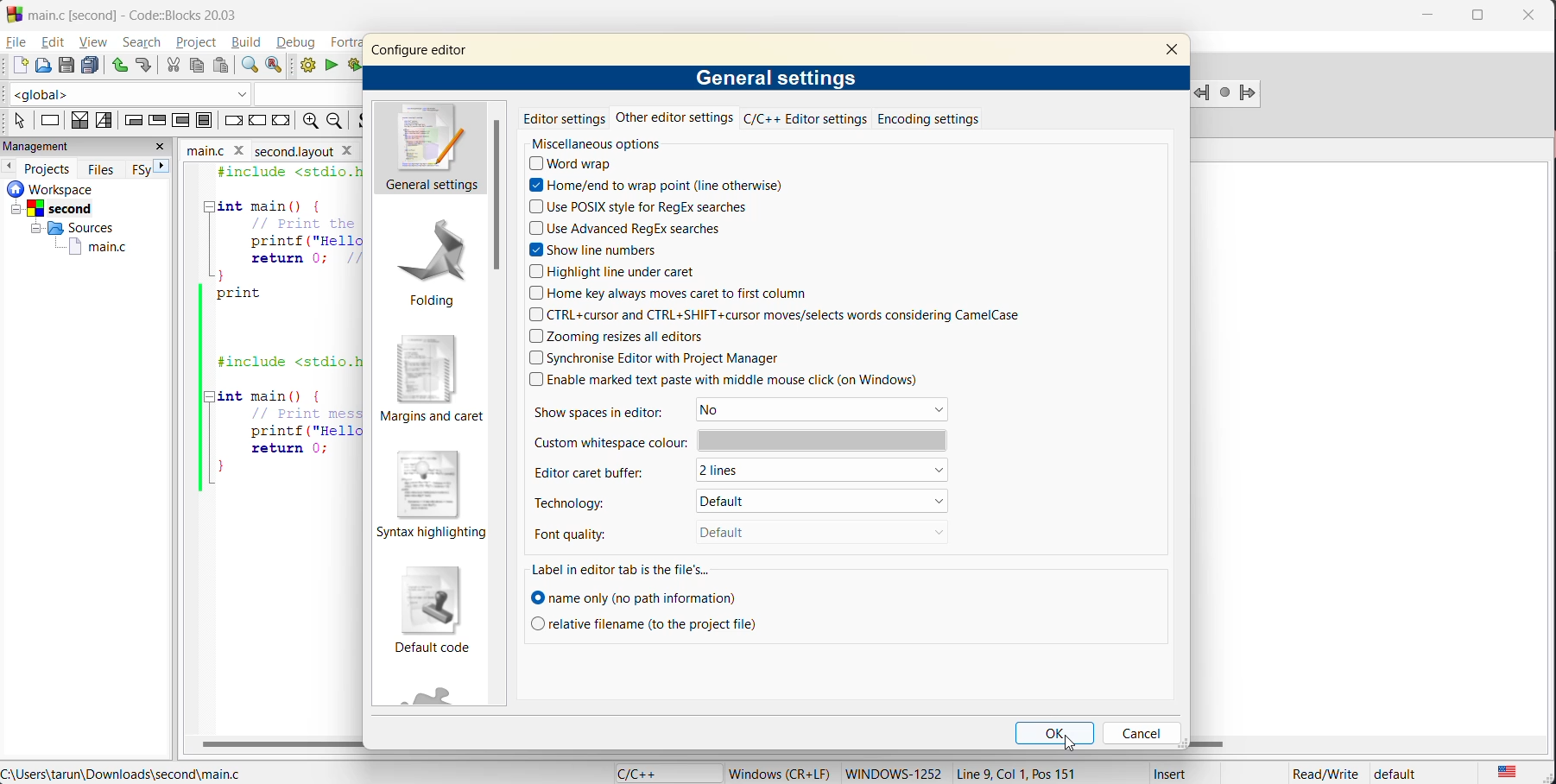  Describe the element at coordinates (123, 774) in the screenshot. I see `file location` at that location.